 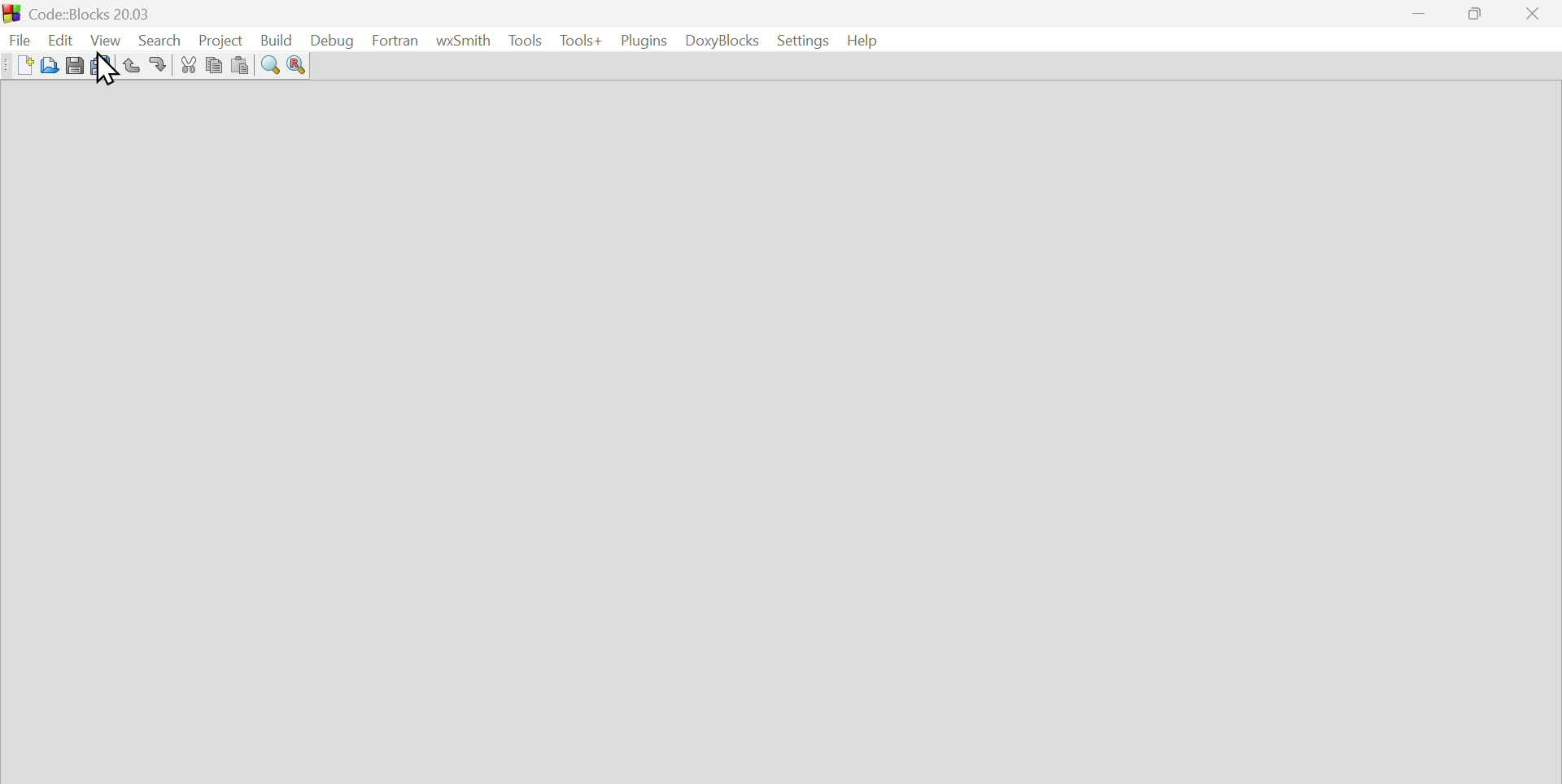 What do you see at coordinates (720, 40) in the screenshot?
I see `Doxyblocks` at bounding box center [720, 40].